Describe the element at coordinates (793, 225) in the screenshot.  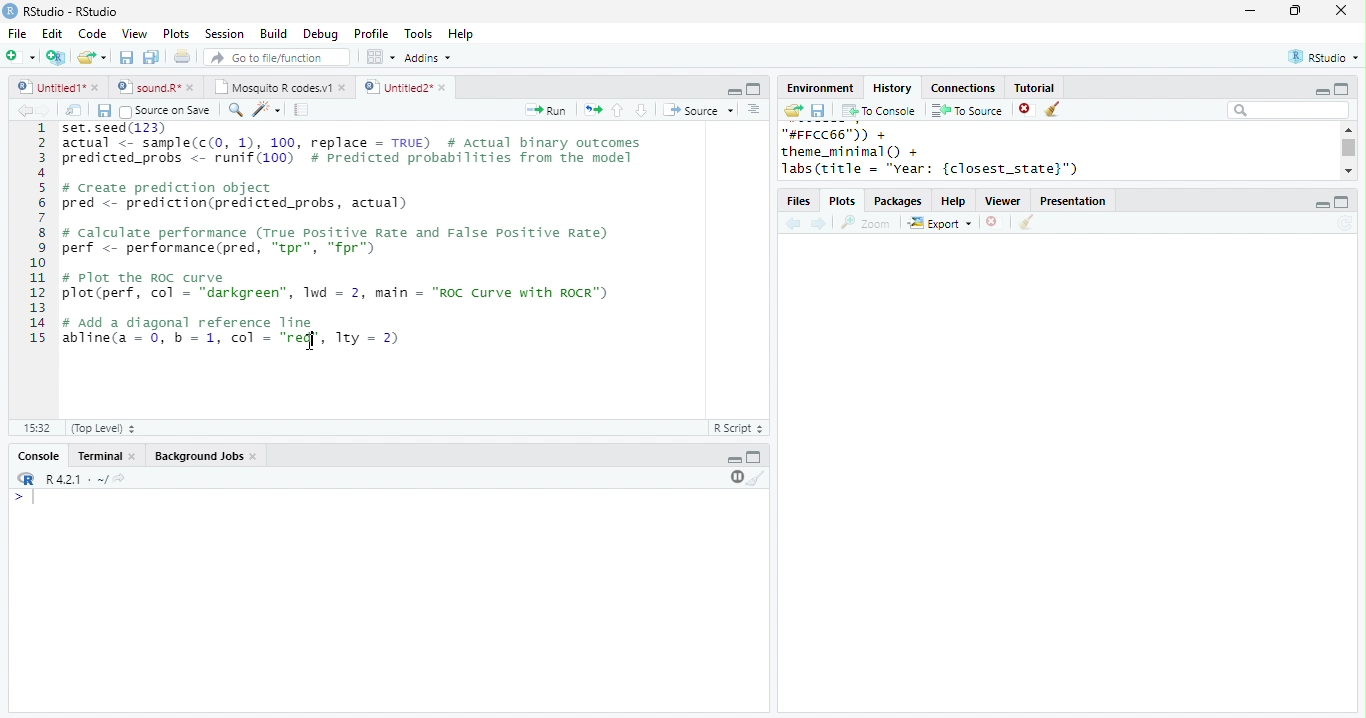
I see `back` at that location.